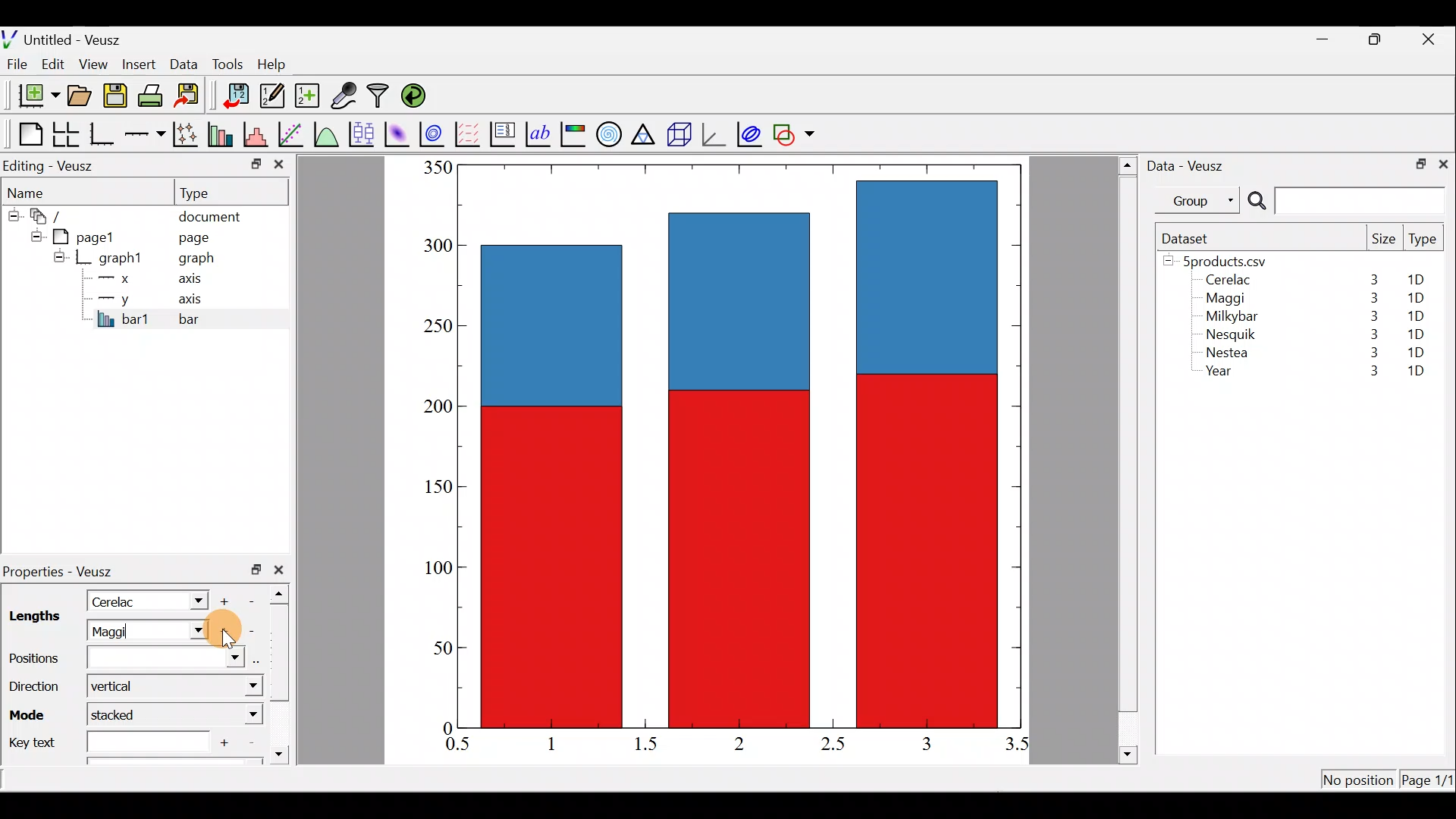 The width and height of the screenshot is (1456, 819). I want to click on 3, so click(1371, 334).